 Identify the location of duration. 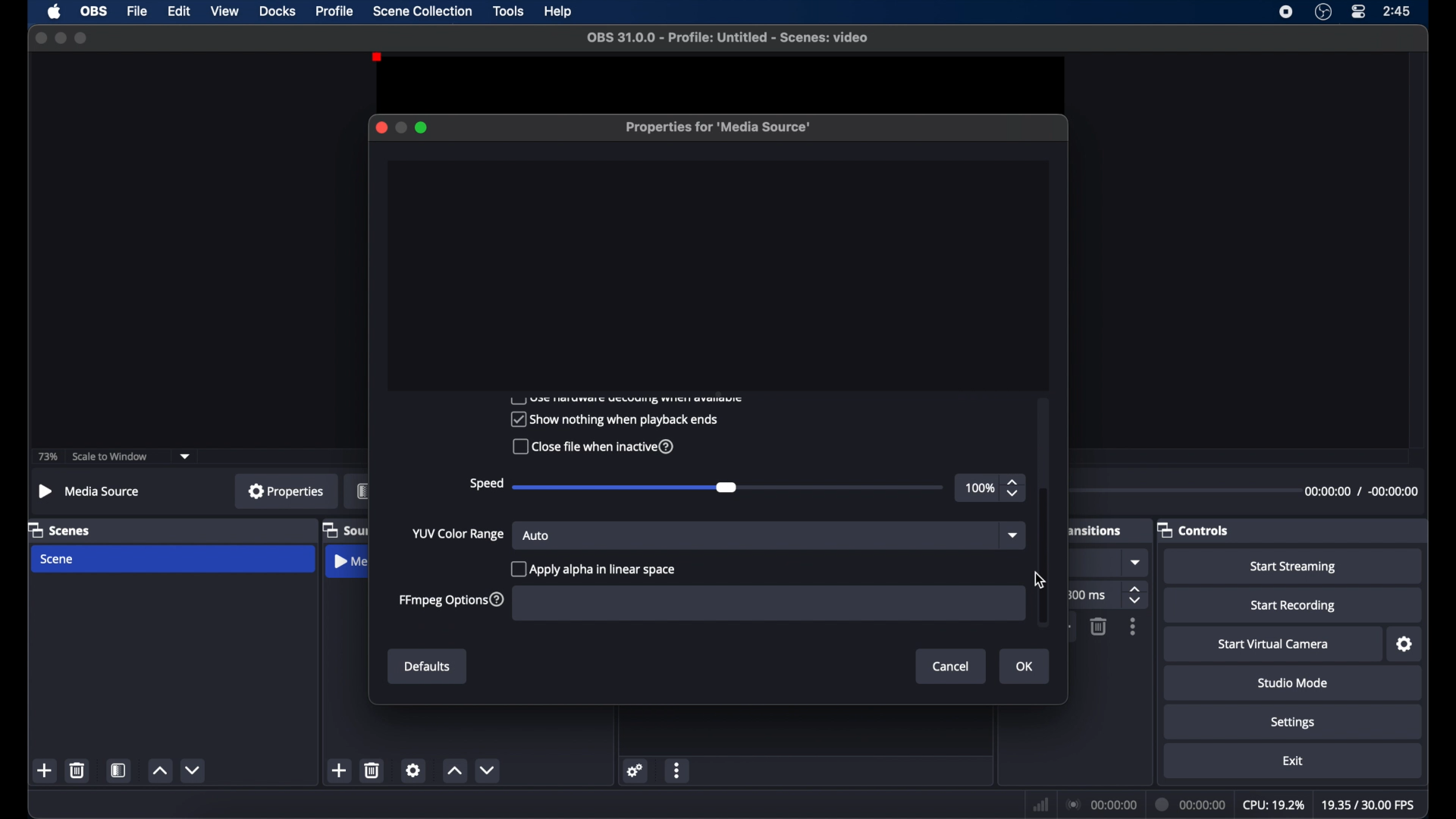
(1361, 491).